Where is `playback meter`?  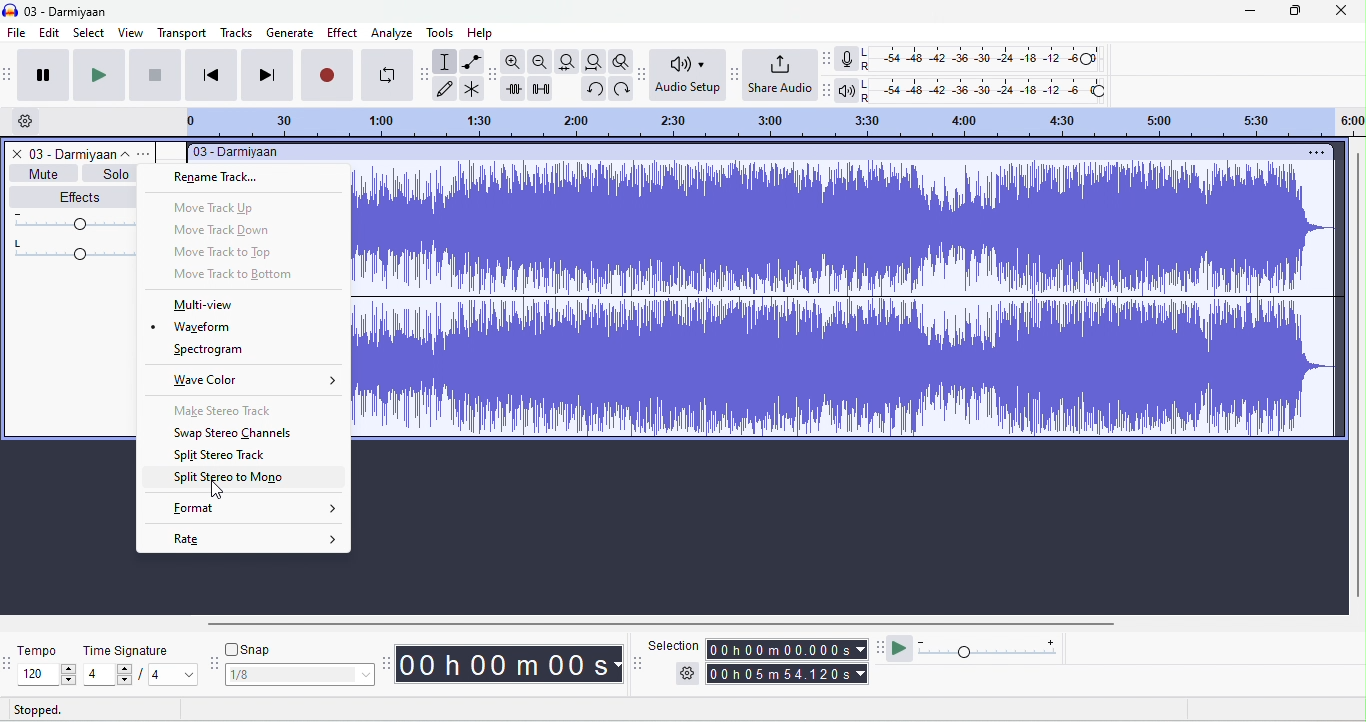
playback meter is located at coordinates (846, 90).